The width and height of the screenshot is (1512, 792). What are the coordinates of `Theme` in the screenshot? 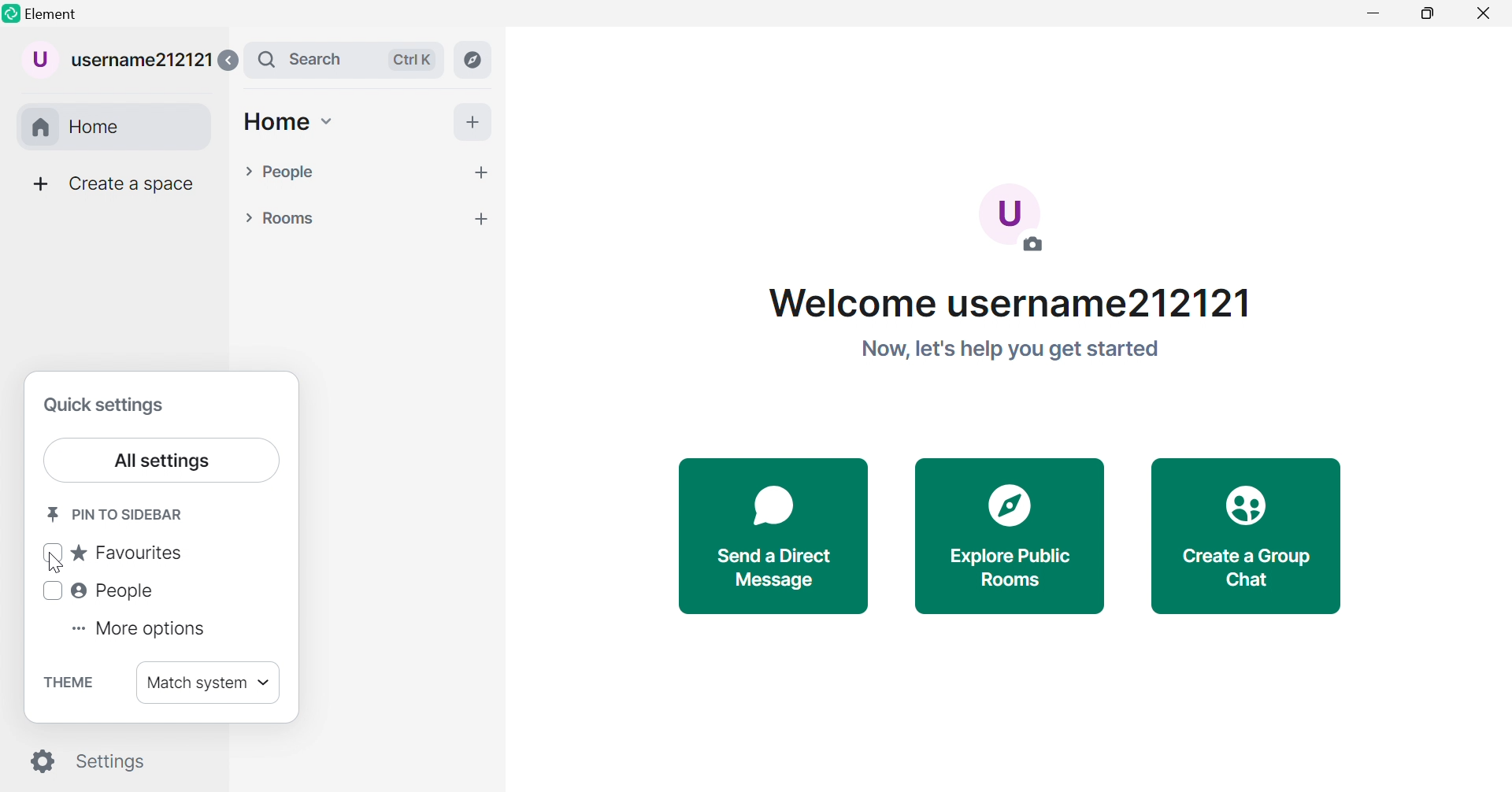 It's located at (70, 683).